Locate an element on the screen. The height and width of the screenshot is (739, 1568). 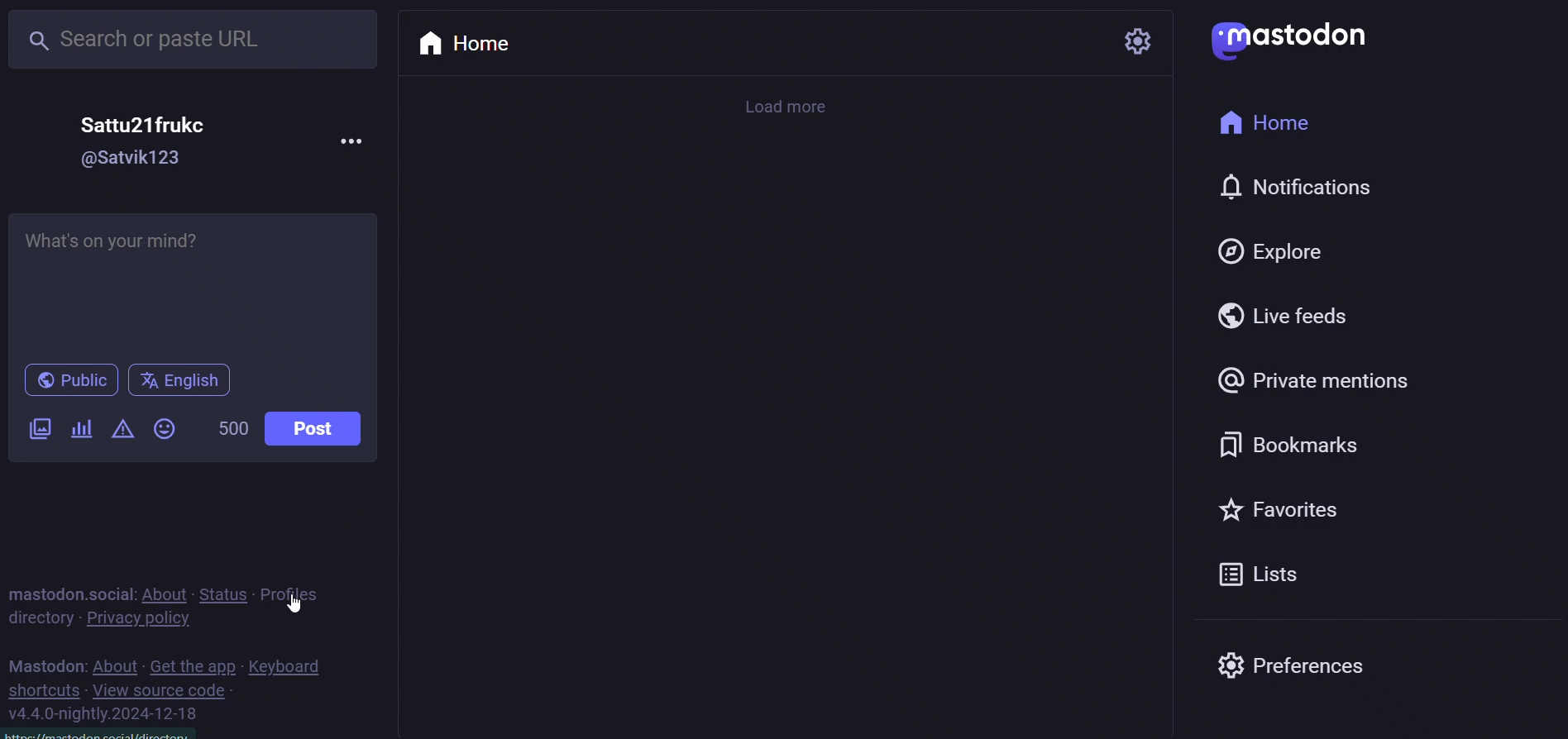
shortcut is located at coordinates (45, 689).